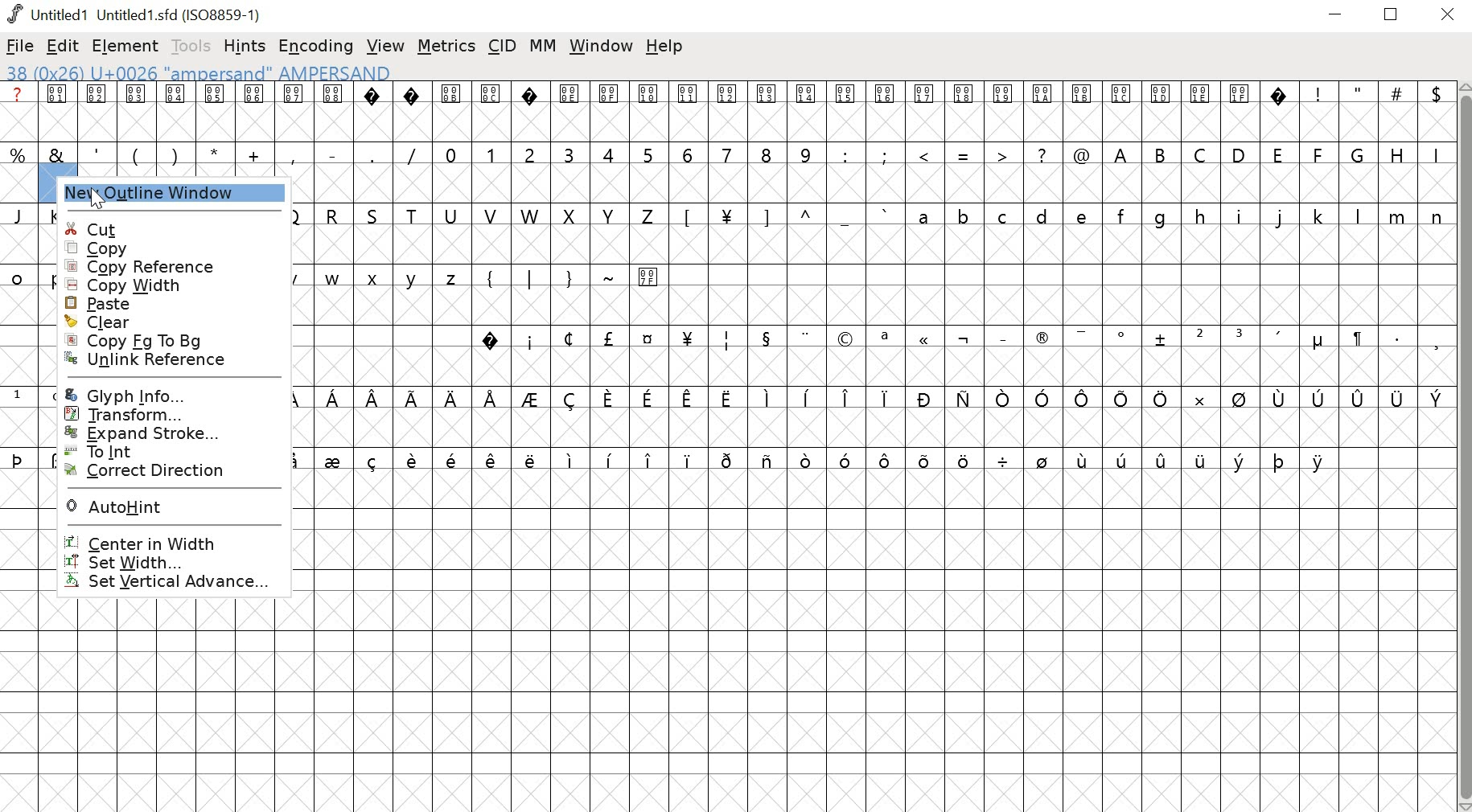 The width and height of the screenshot is (1472, 812). What do you see at coordinates (180, 584) in the screenshot?
I see `set vertical advance` at bounding box center [180, 584].